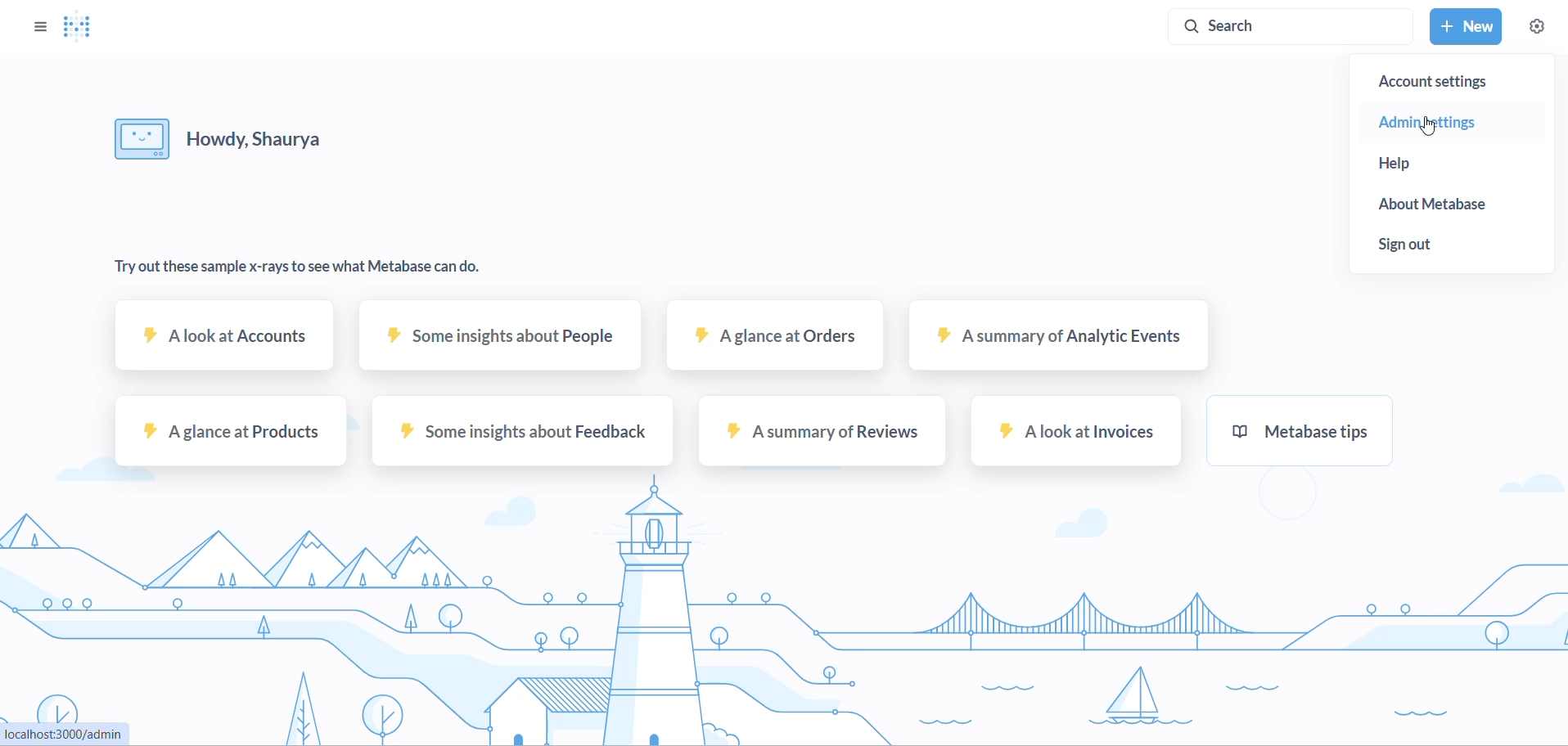 This screenshot has width=1568, height=746. I want to click on SETTINGS, so click(1539, 27).